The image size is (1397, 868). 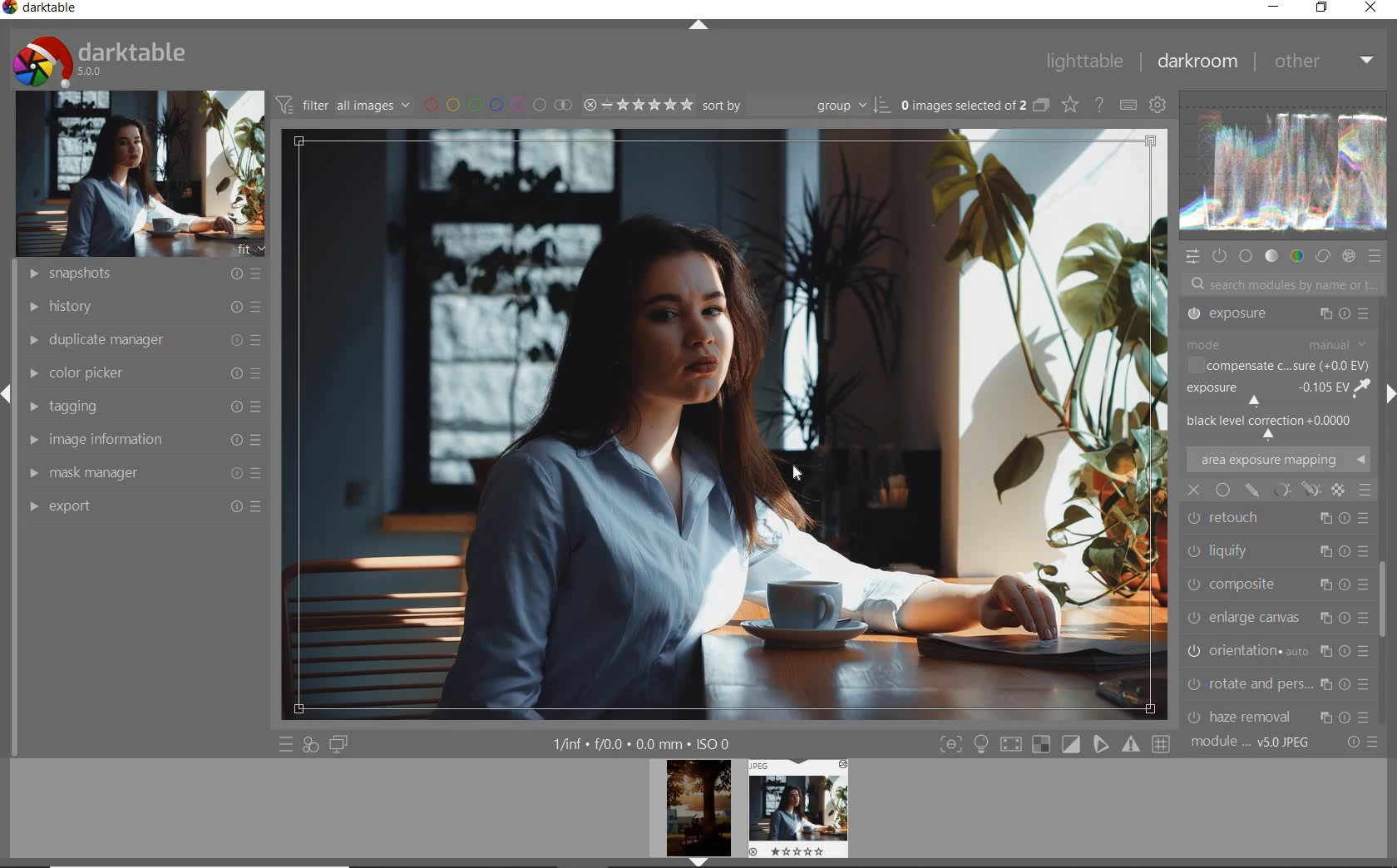 I want to click on cursor position, so click(x=801, y=476).